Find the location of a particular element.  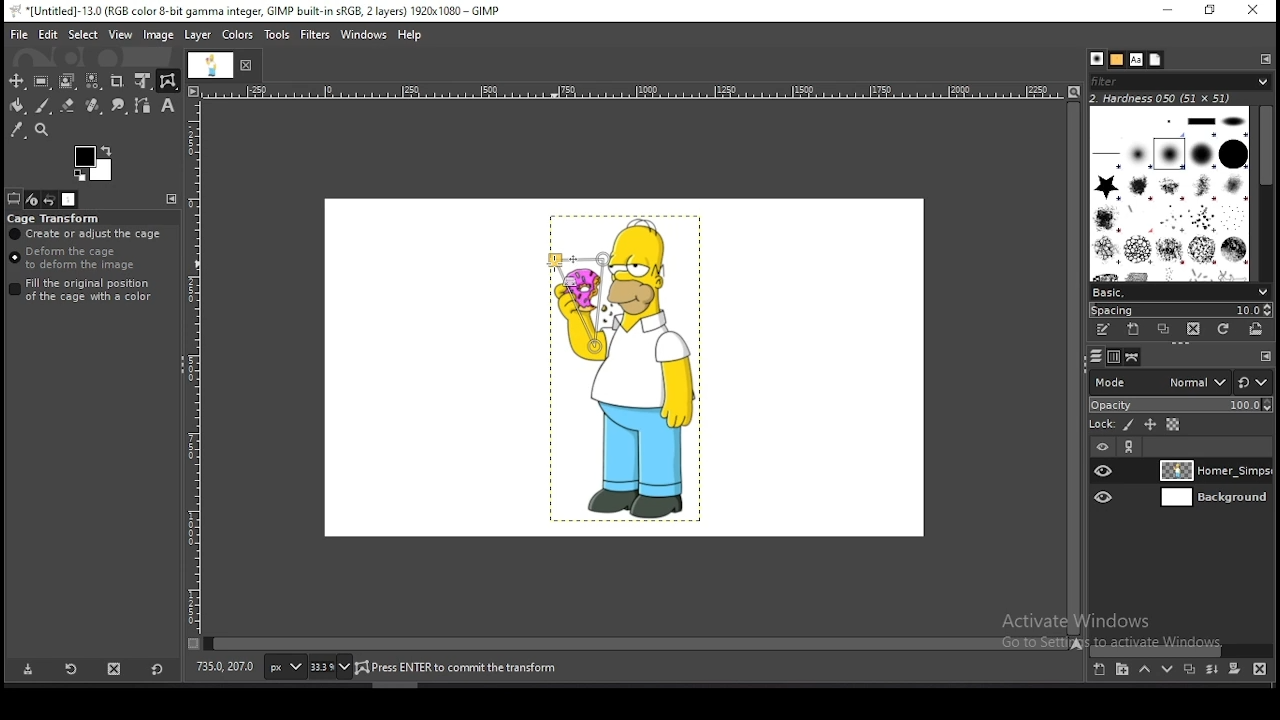

paintbrush tool is located at coordinates (42, 106).